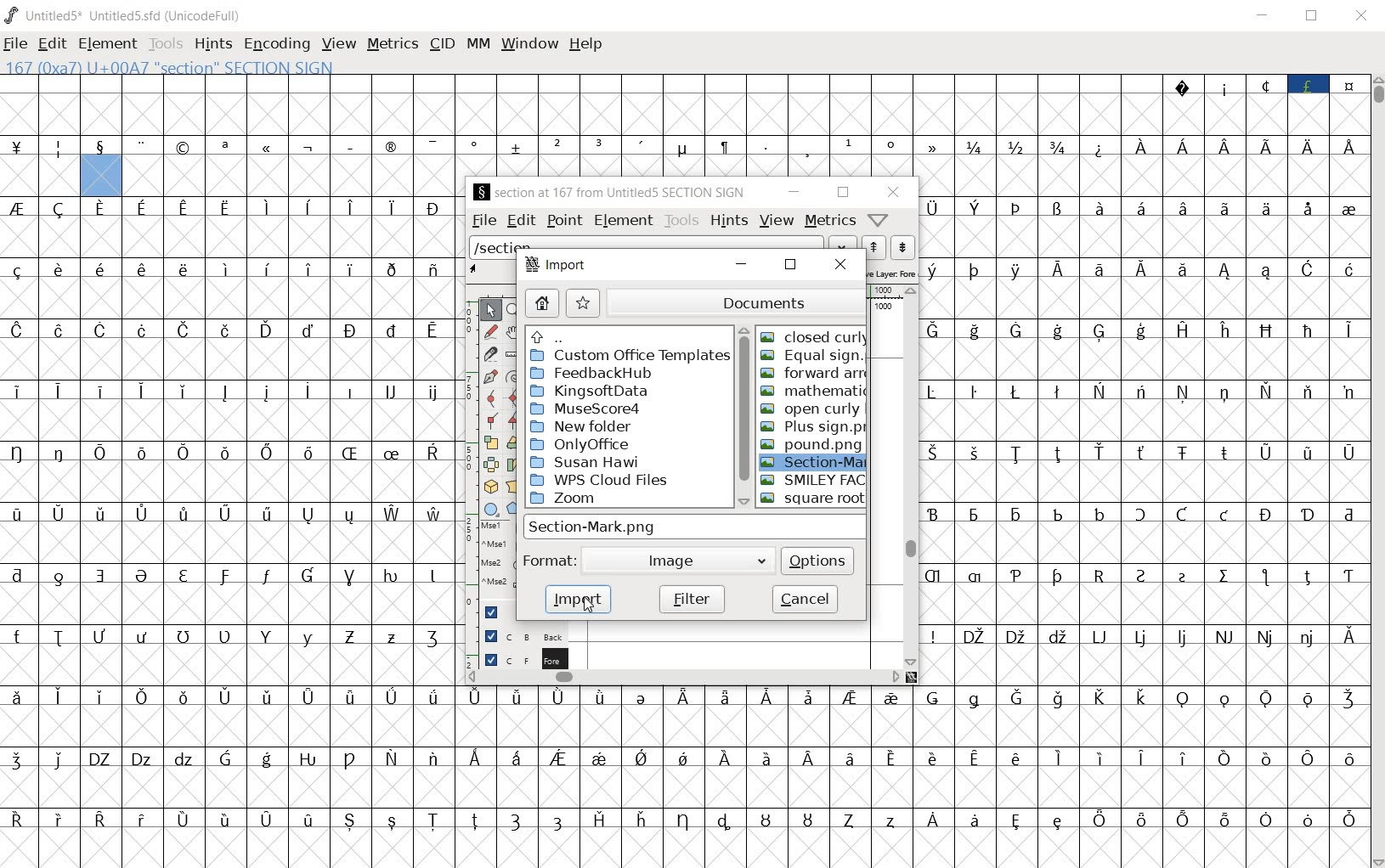 This screenshot has width=1385, height=868. Describe the element at coordinates (812, 410) in the screenshot. I see `OPEN CURLY` at that location.